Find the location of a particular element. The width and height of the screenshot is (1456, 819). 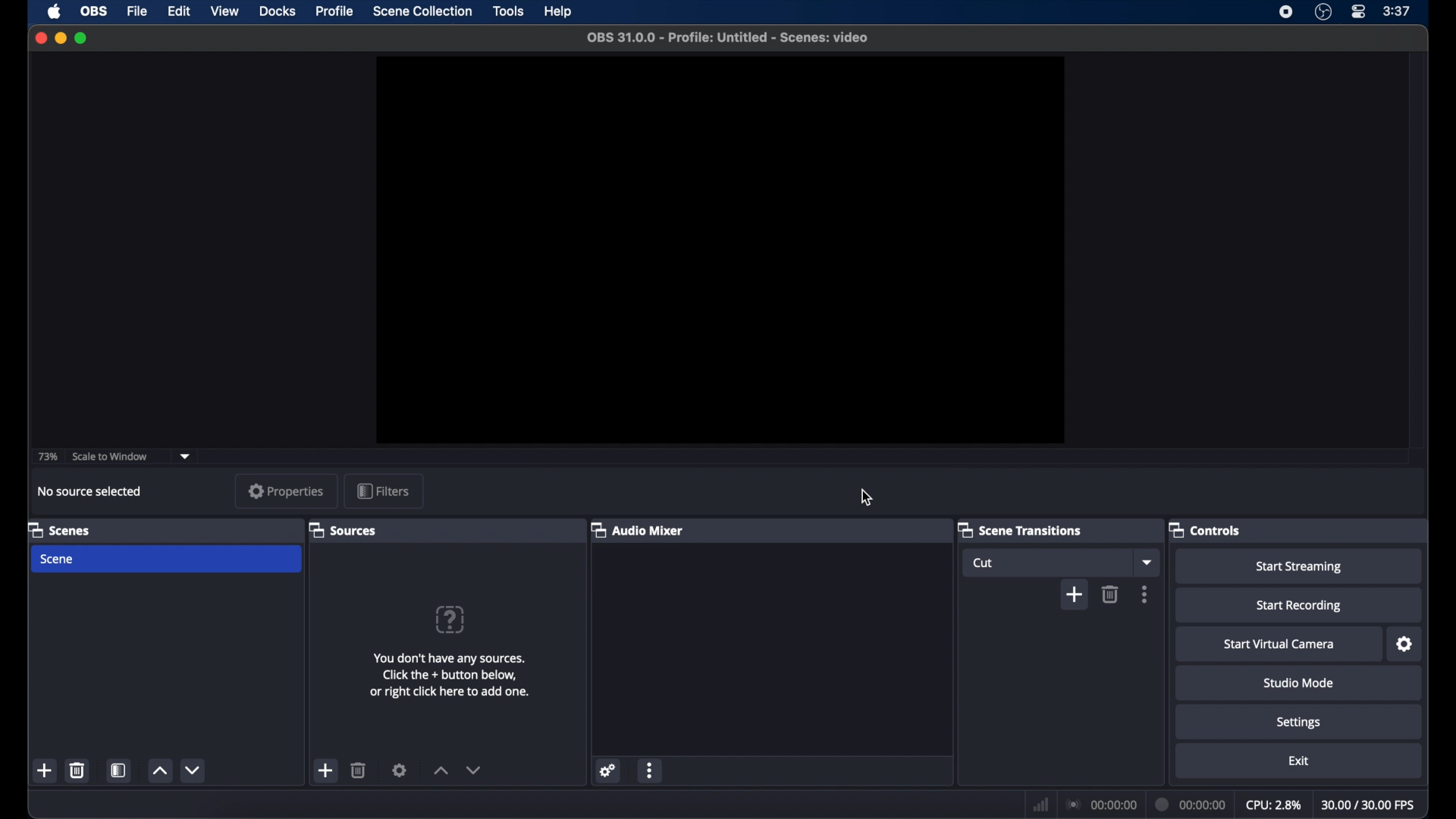

add is located at coordinates (1074, 595).